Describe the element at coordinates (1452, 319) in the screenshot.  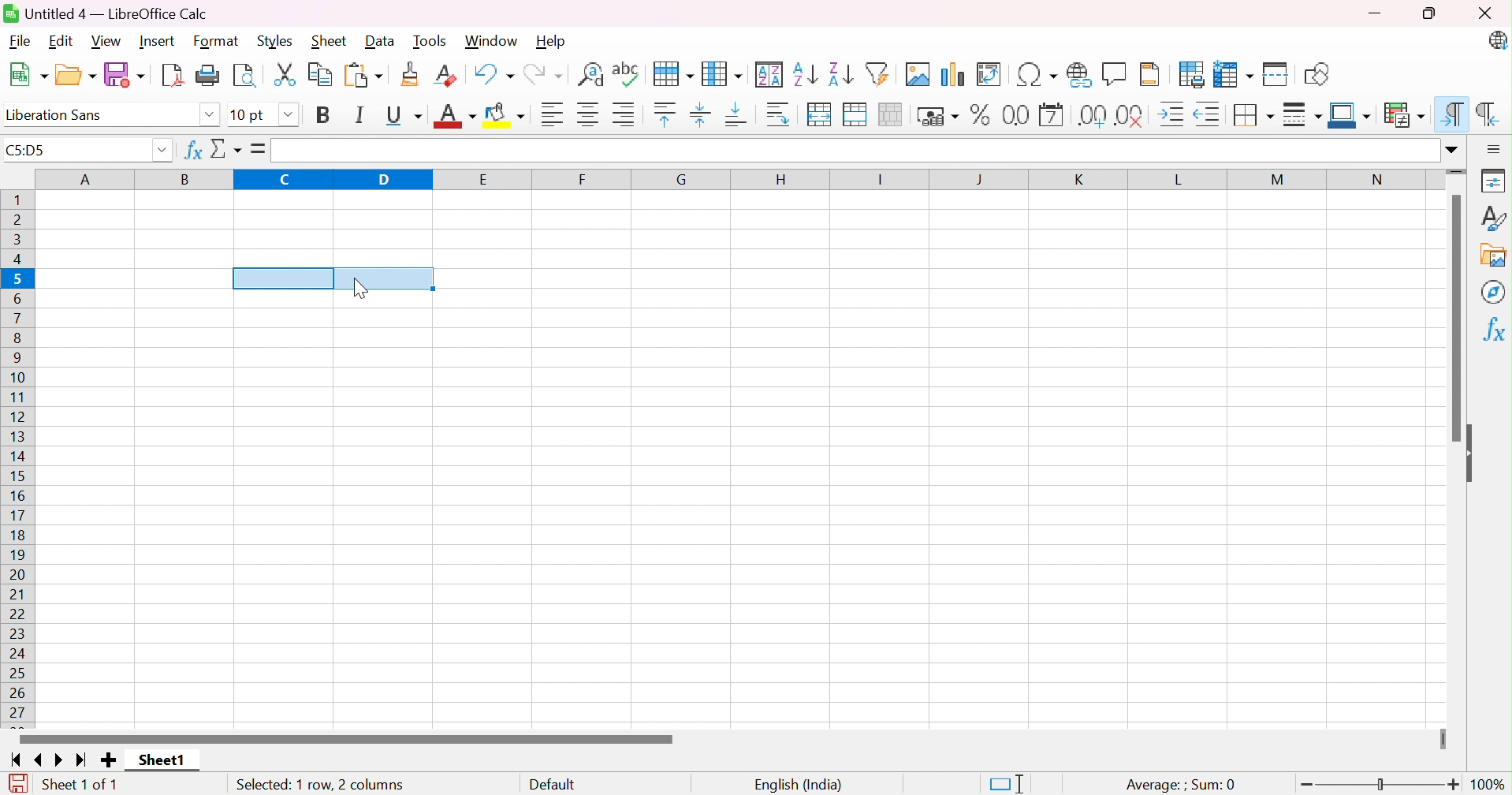
I see `Scroll Bar` at that location.